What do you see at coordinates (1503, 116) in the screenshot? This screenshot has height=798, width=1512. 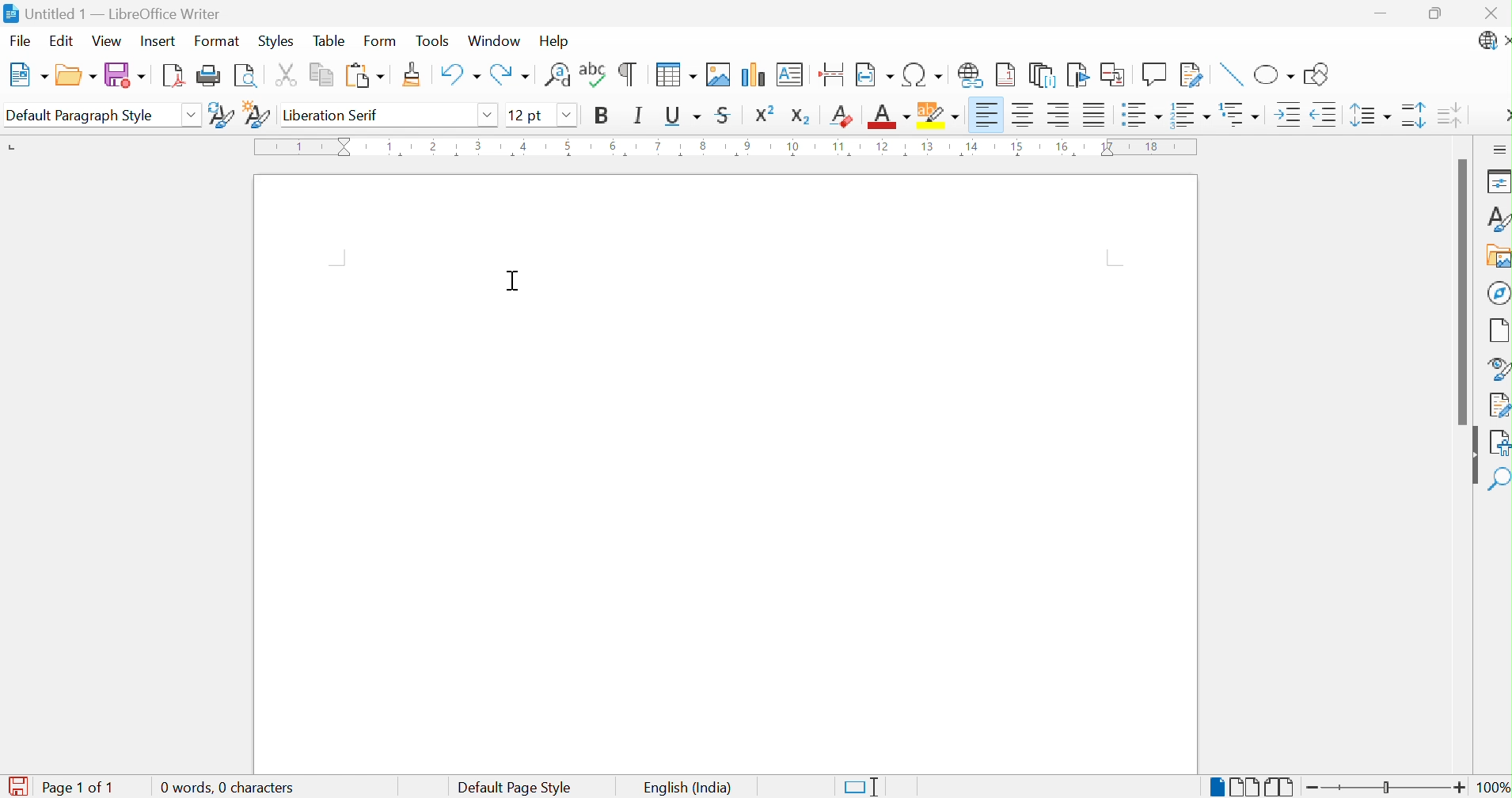 I see `More` at bounding box center [1503, 116].